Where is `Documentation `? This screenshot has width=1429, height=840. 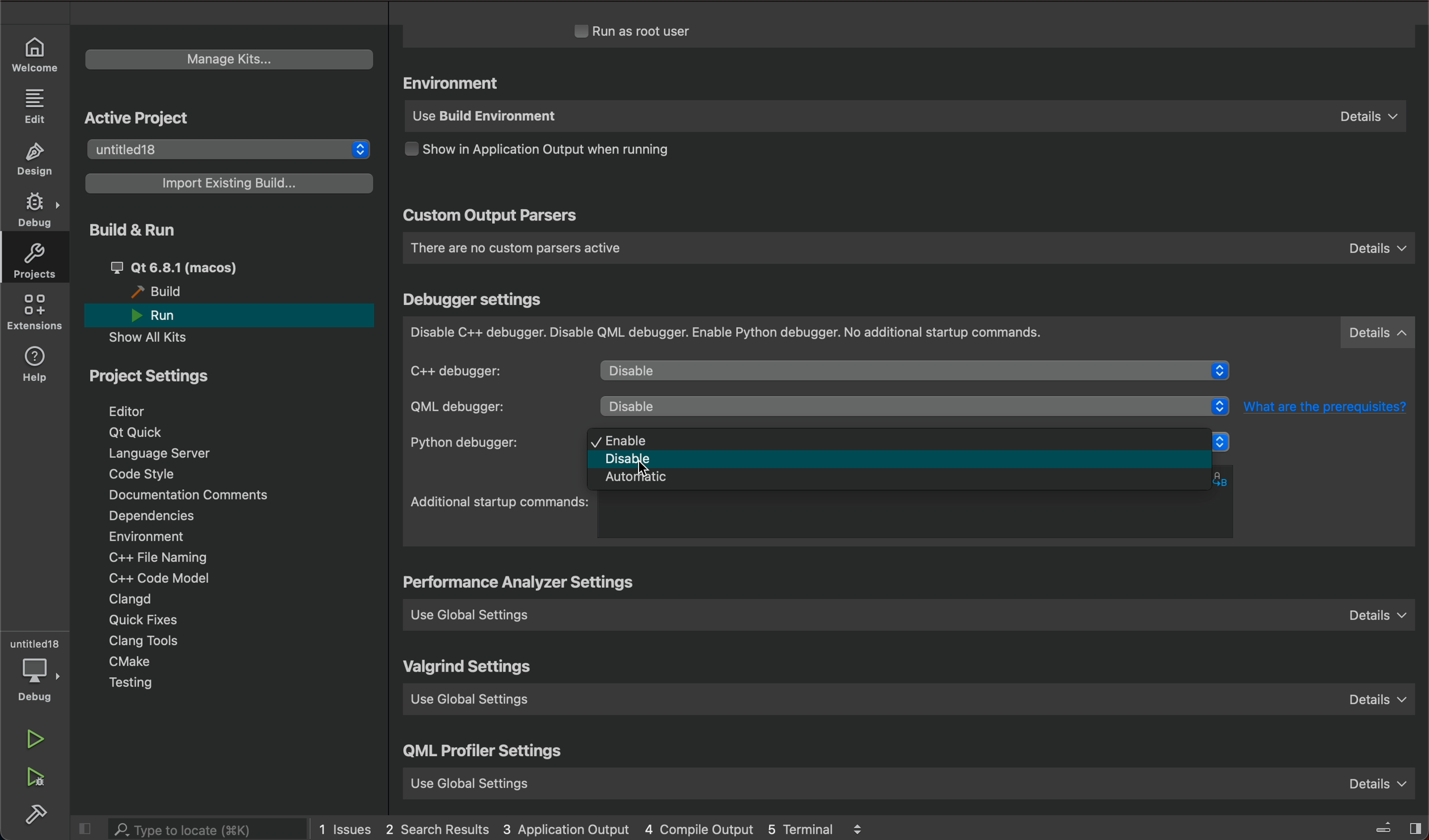
Documentation  is located at coordinates (202, 496).